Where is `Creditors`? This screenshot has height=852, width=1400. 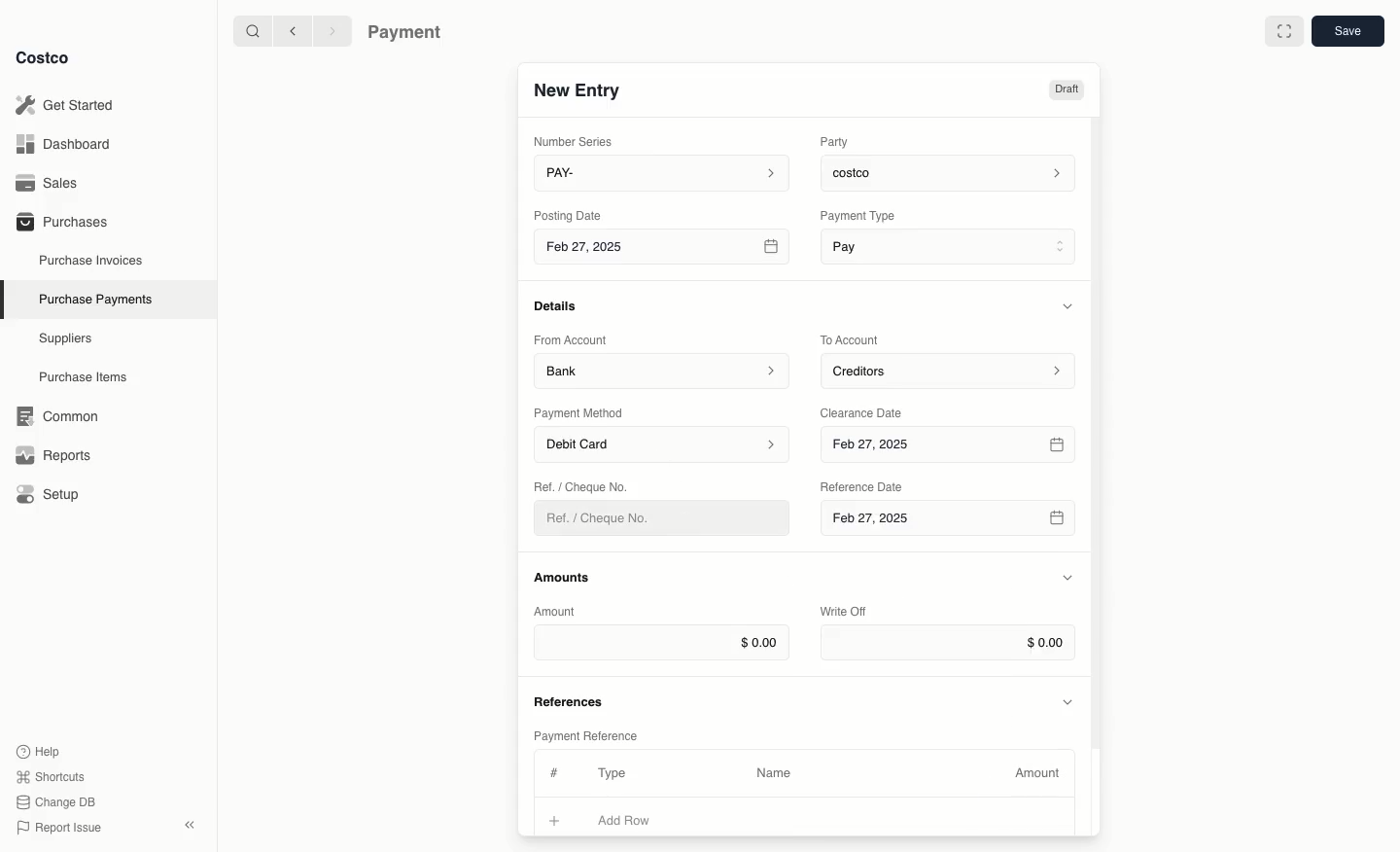
Creditors is located at coordinates (951, 370).